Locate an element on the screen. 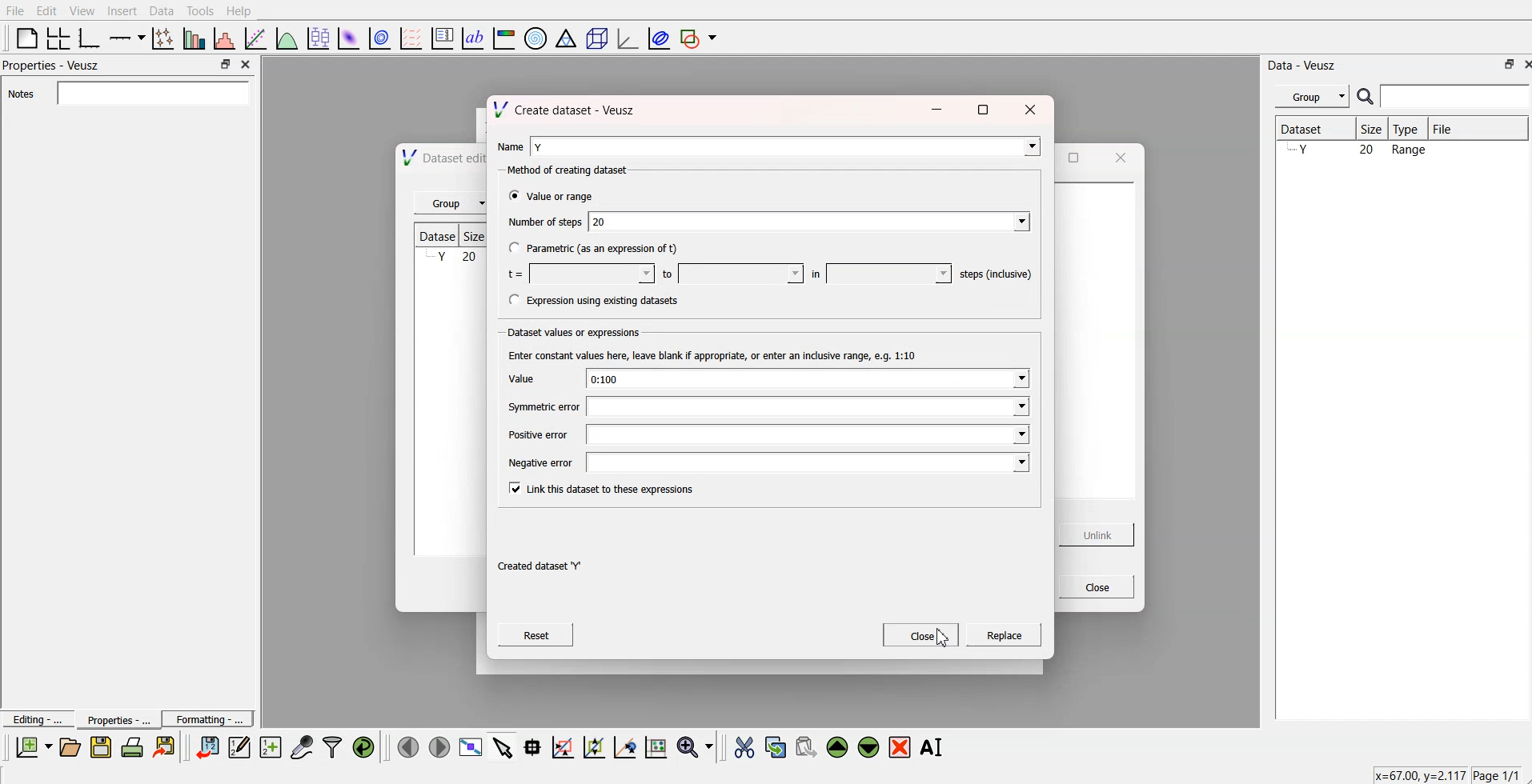  Type is located at coordinates (1410, 129).